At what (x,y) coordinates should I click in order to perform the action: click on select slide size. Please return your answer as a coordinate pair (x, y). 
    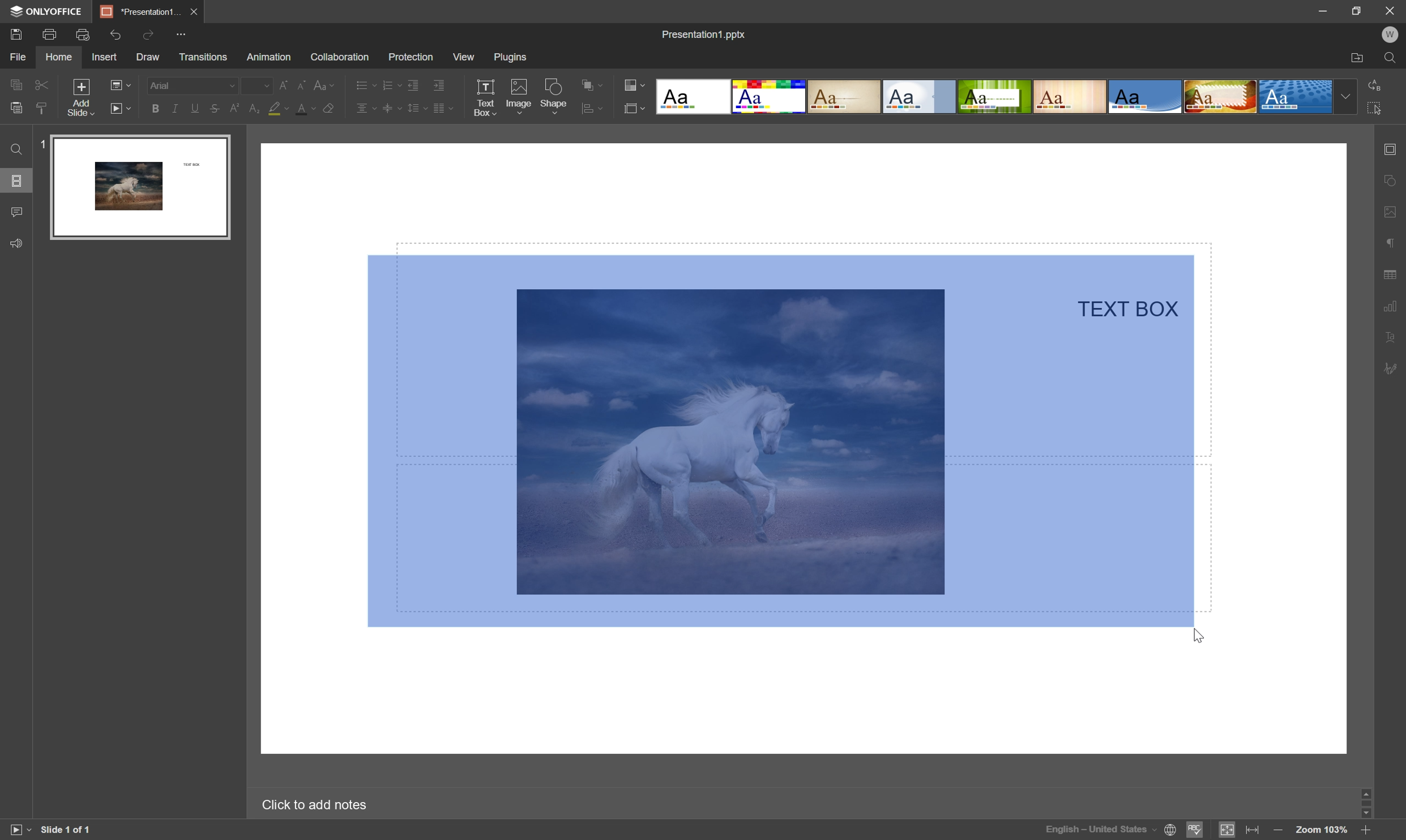
    Looking at the image, I should click on (635, 109).